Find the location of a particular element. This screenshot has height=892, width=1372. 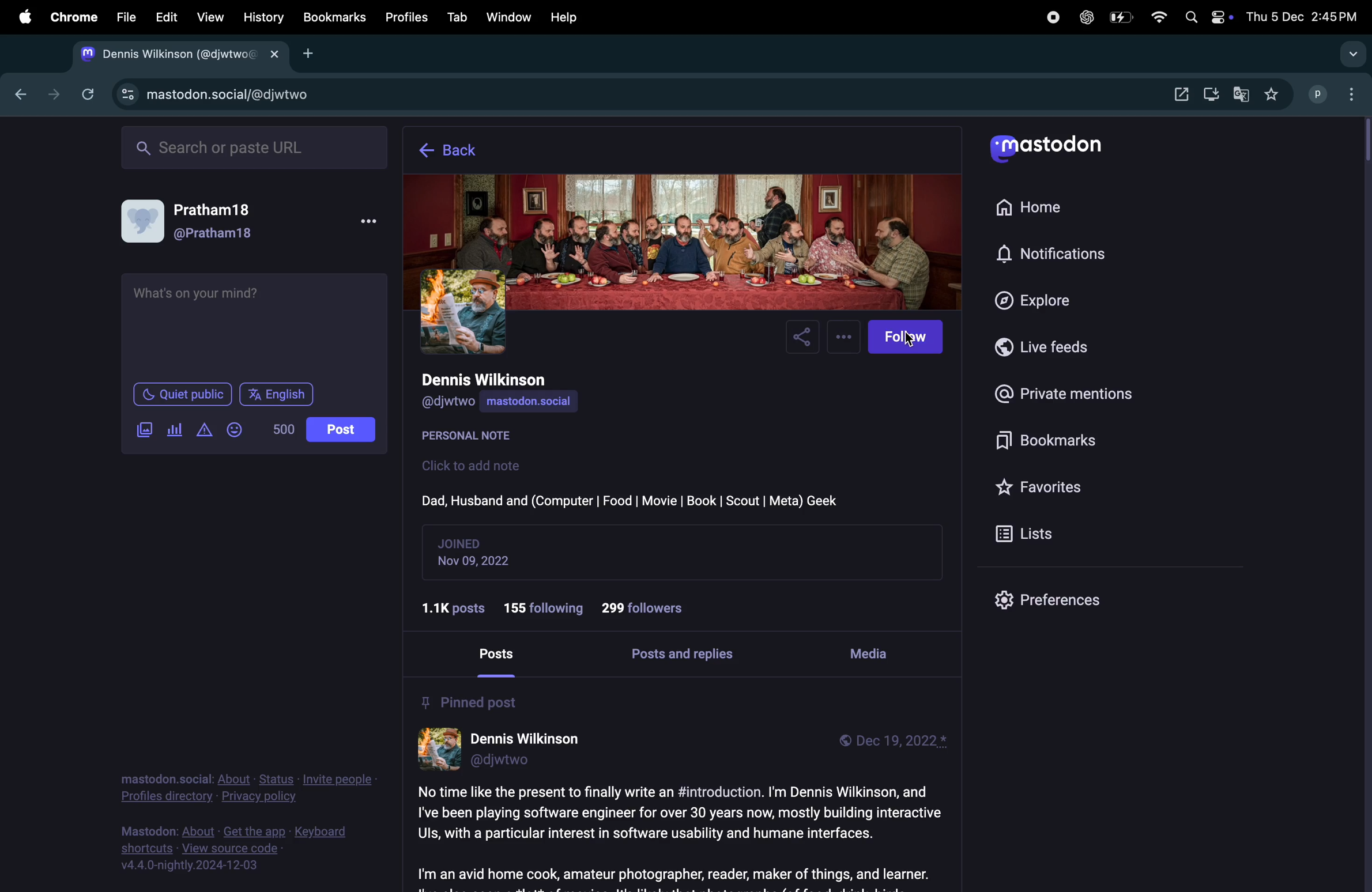

favourites is located at coordinates (1278, 94).